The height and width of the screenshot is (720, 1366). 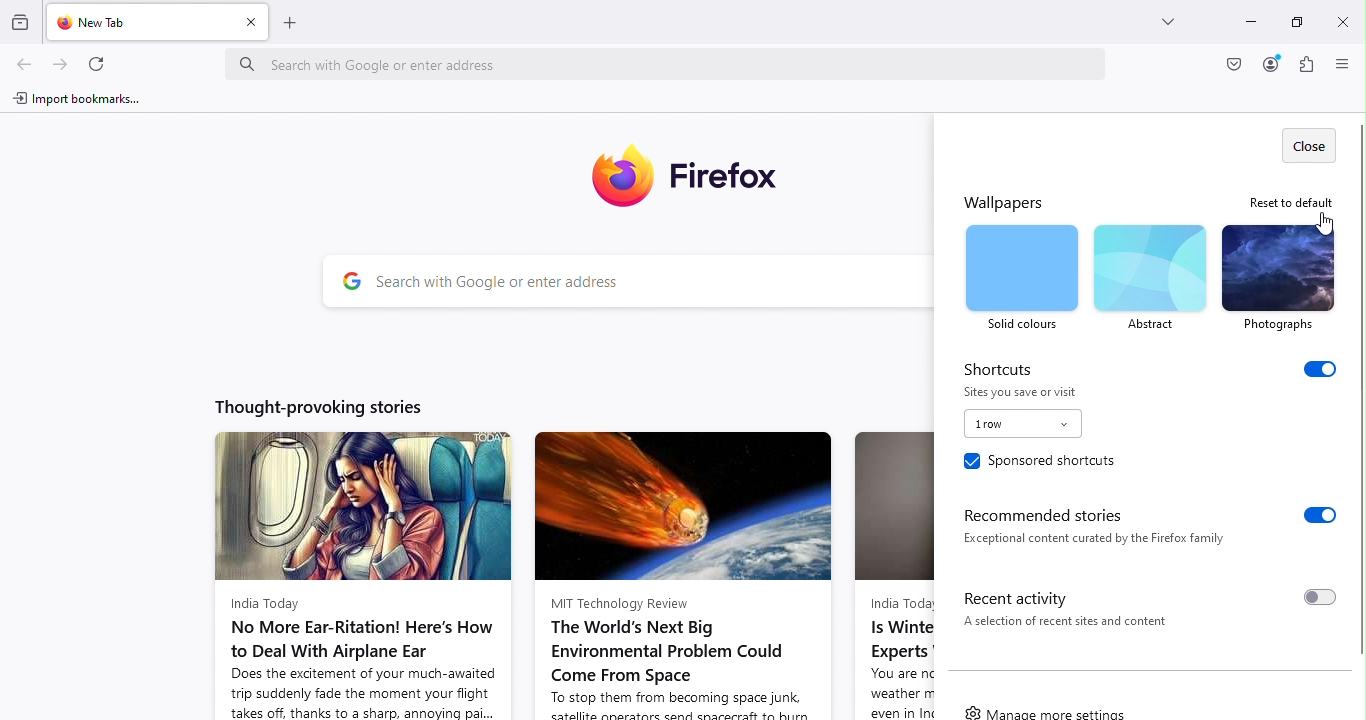 I want to click on Solid colors, so click(x=1022, y=278).